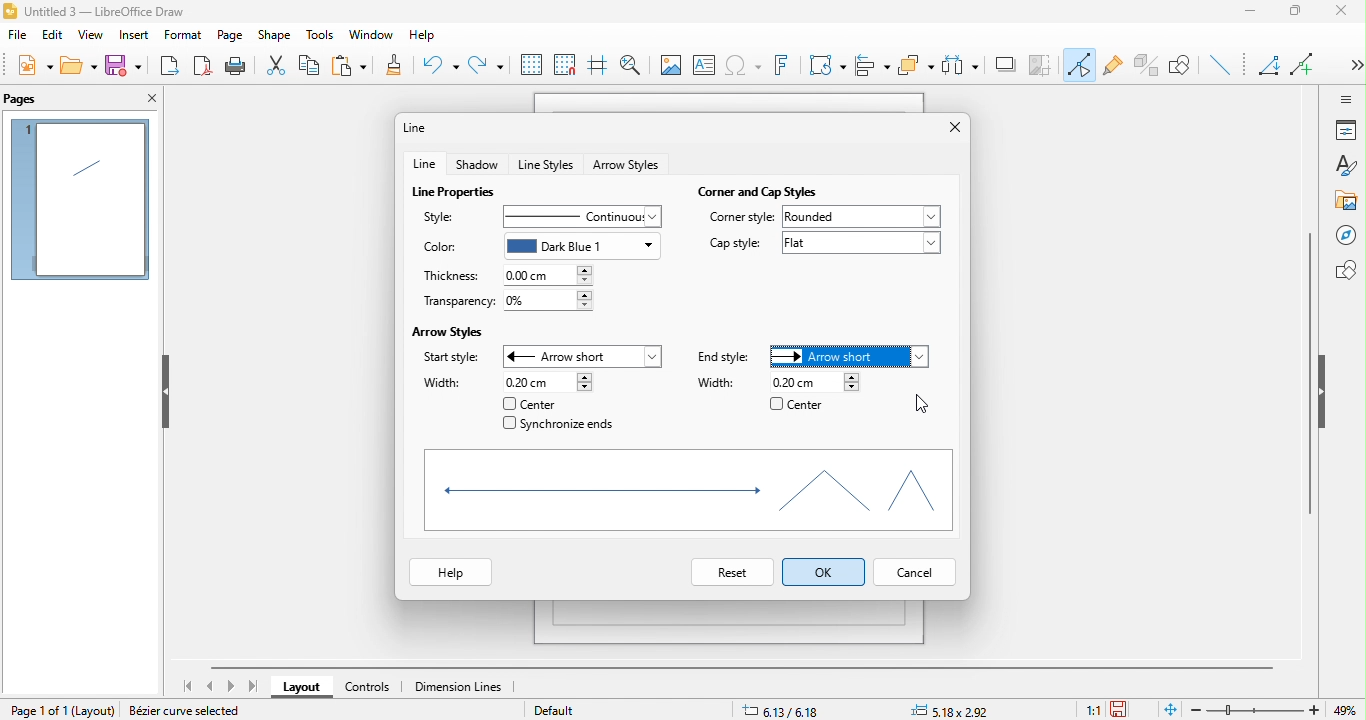 The image size is (1366, 720). What do you see at coordinates (236, 66) in the screenshot?
I see `print` at bounding box center [236, 66].